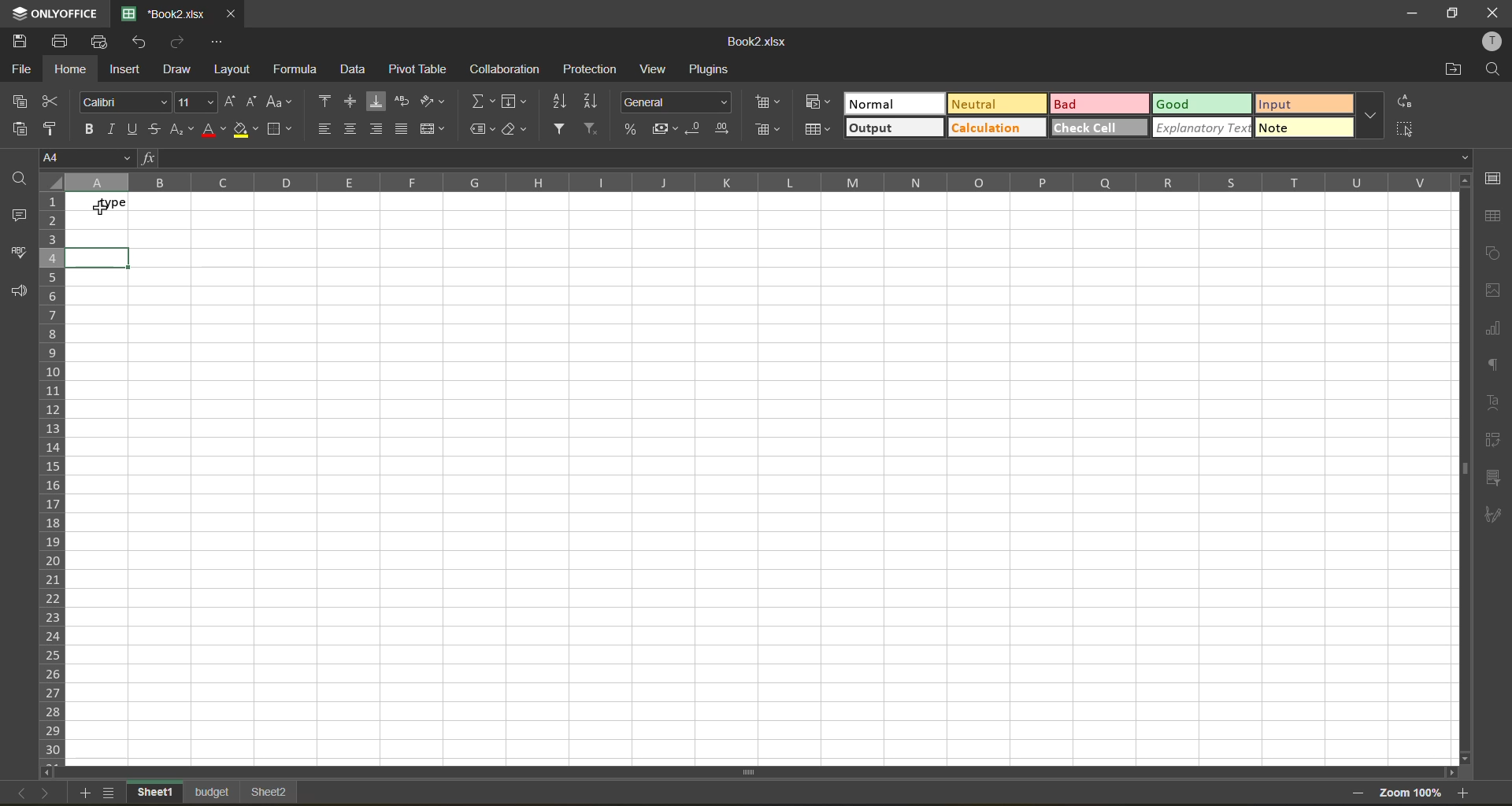  I want to click on percent, so click(632, 128).